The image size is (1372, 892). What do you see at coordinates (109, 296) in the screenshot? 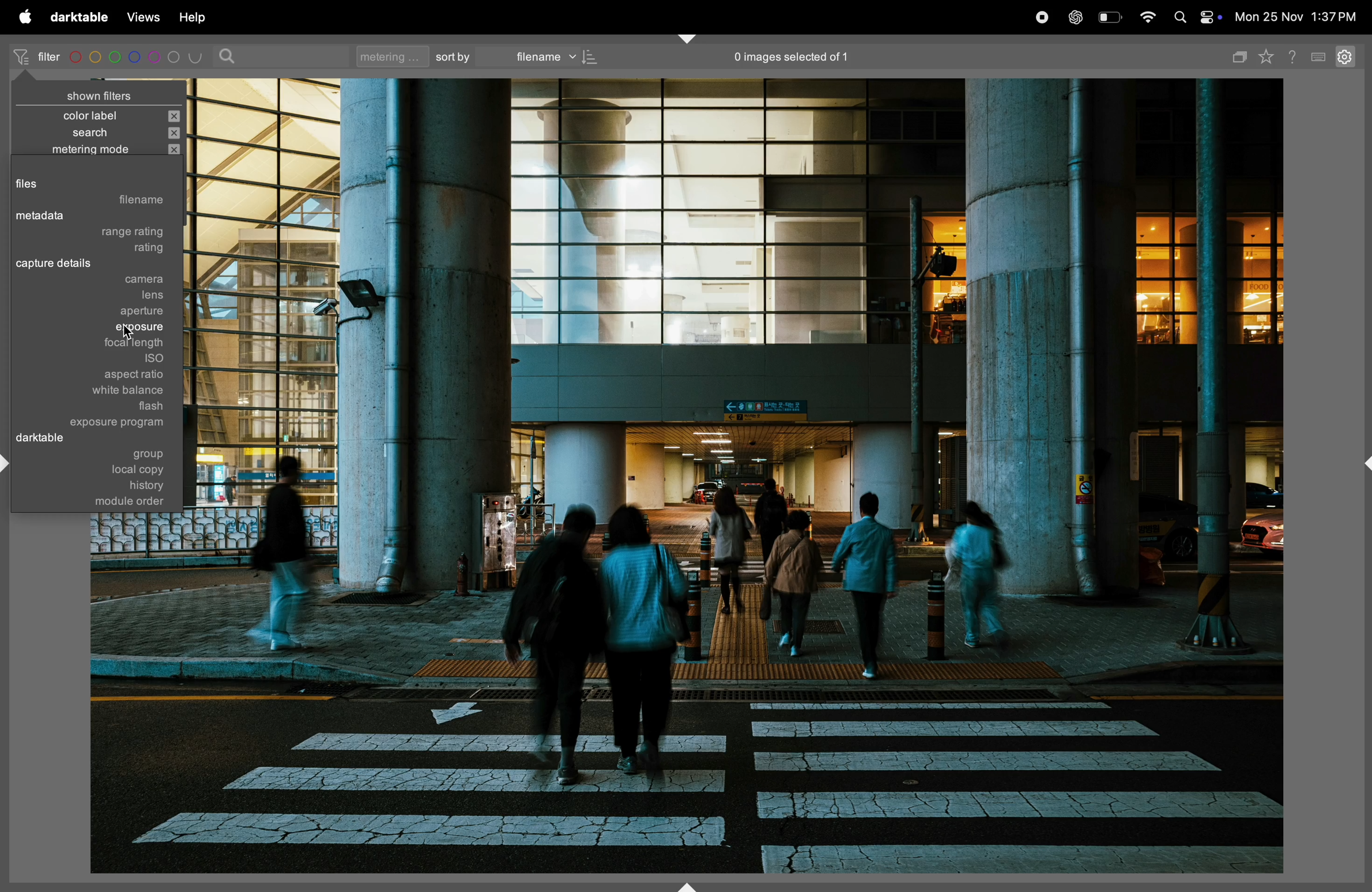
I see `lens` at bounding box center [109, 296].